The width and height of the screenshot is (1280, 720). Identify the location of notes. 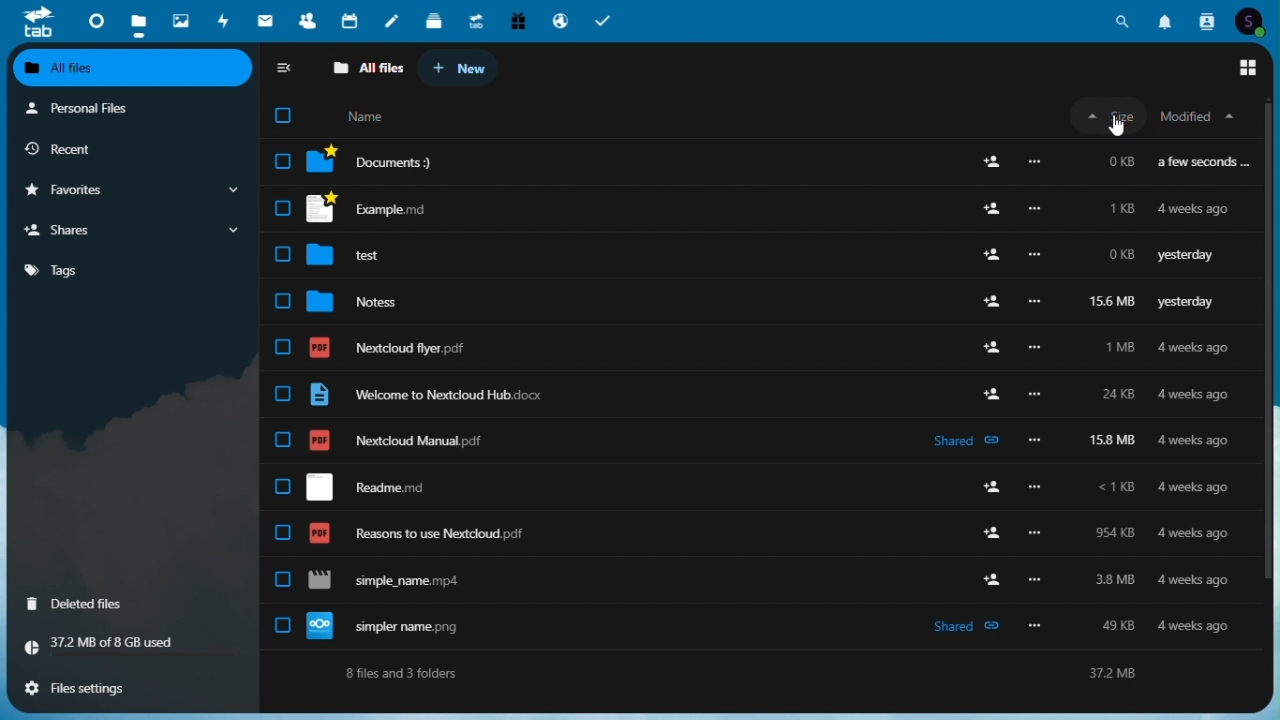
(391, 20).